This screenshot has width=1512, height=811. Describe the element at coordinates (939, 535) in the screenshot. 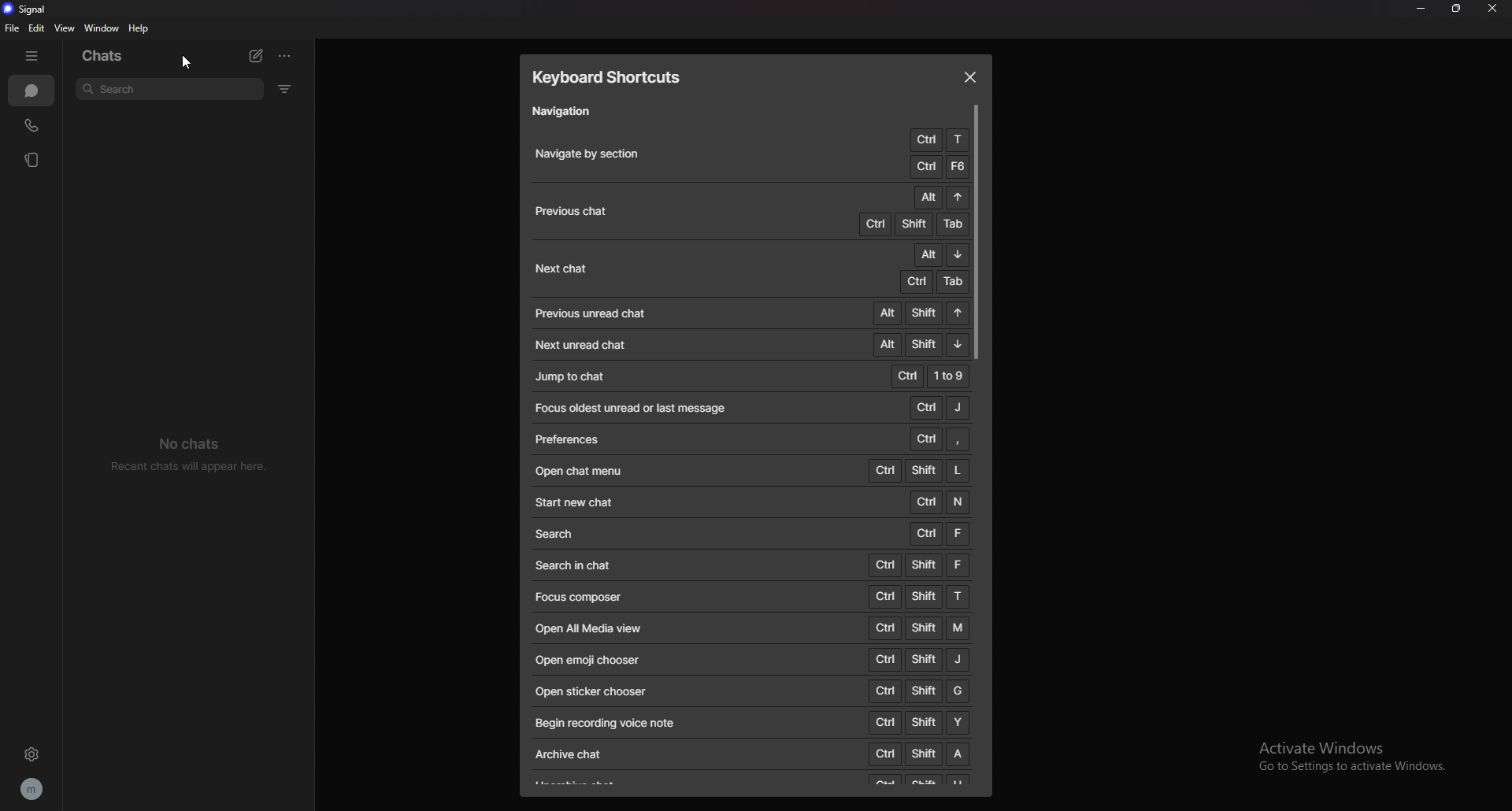

I see `CTRL + F` at that location.